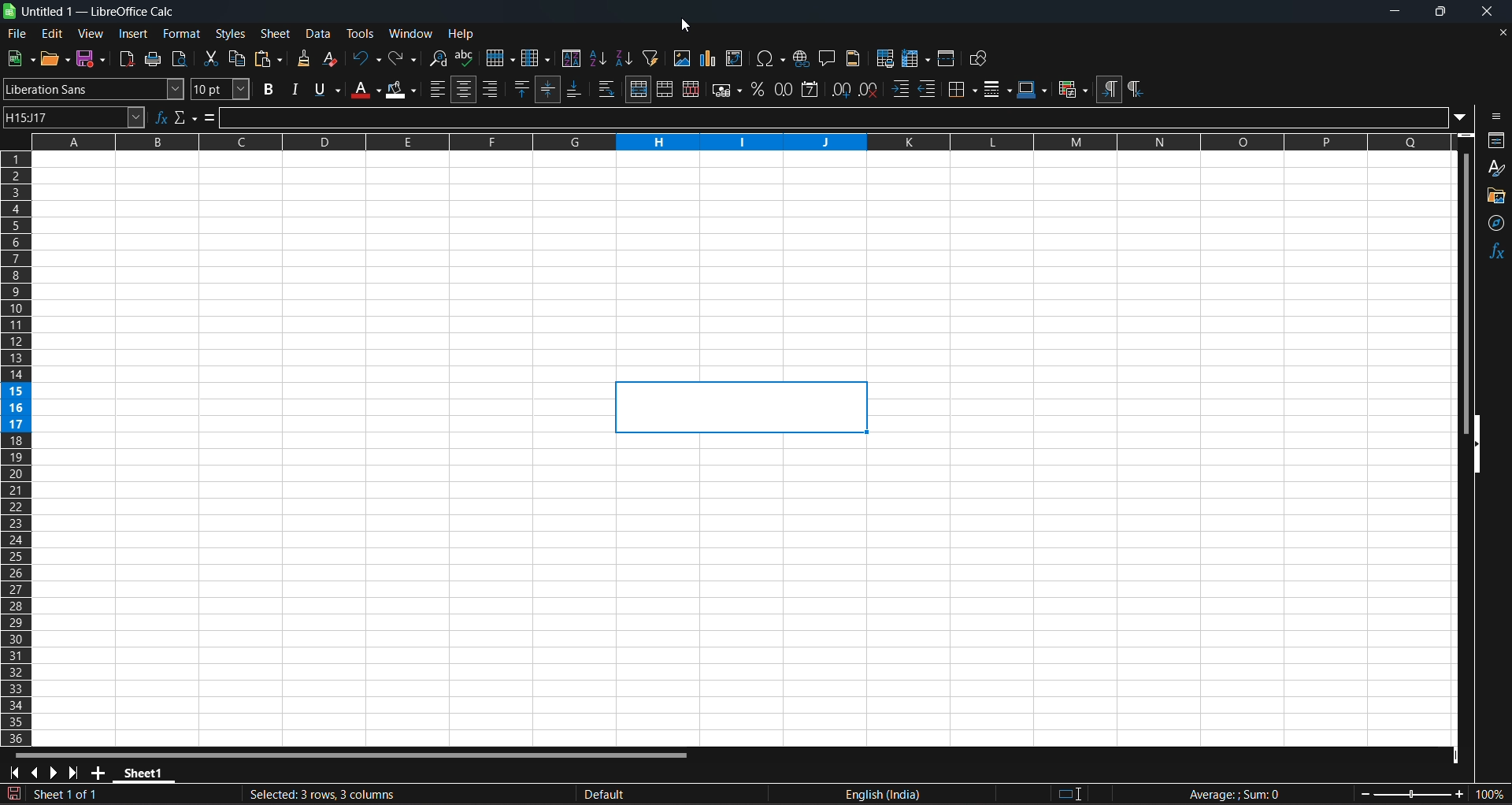 The height and width of the screenshot is (805, 1512). I want to click on The document has been modified. Click to save, so click(14, 792).